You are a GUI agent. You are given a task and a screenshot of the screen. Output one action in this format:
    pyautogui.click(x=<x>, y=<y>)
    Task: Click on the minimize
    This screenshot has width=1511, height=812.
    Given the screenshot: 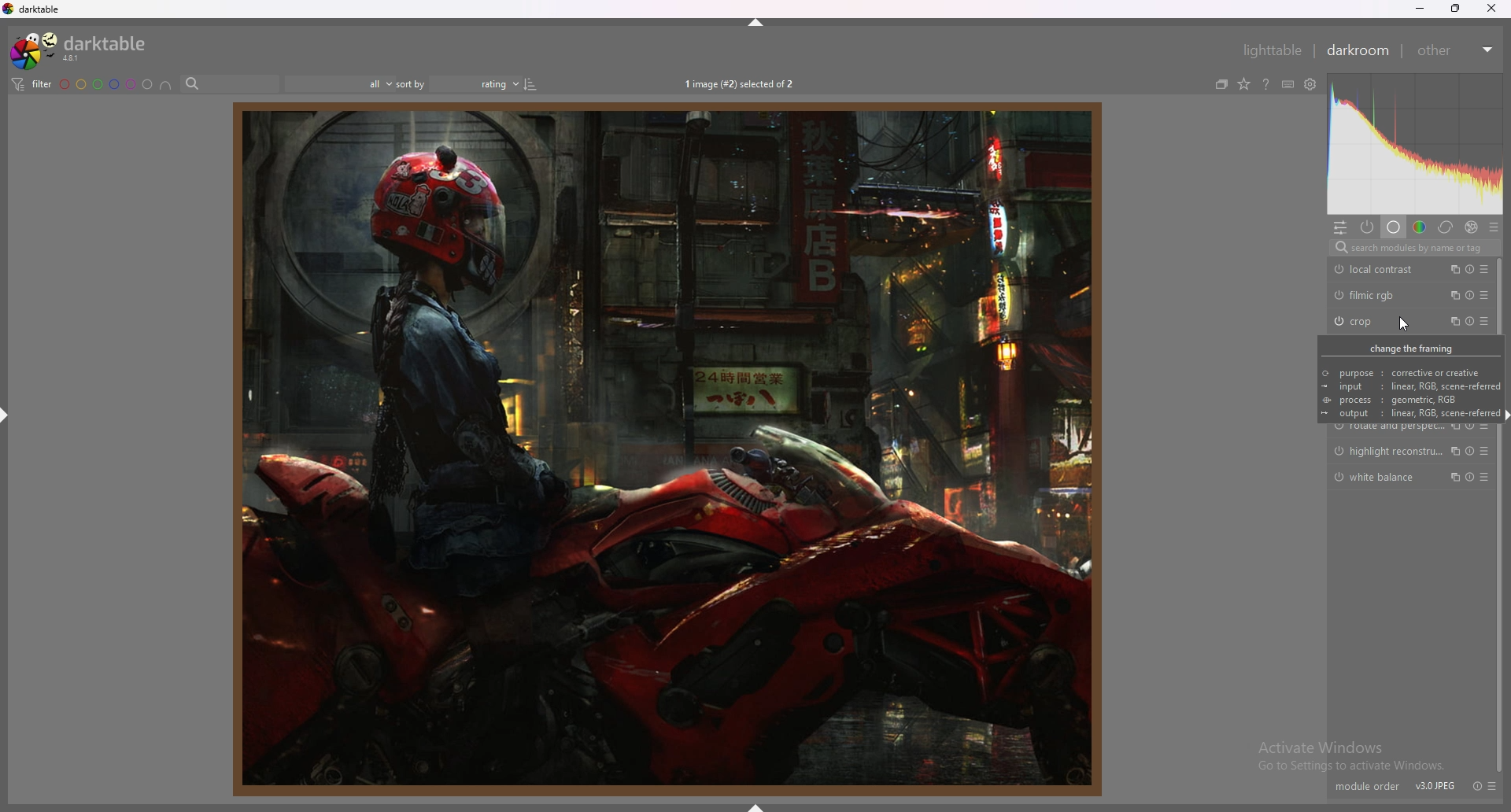 What is the action you would take?
    pyautogui.click(x=1418, y=9)
    